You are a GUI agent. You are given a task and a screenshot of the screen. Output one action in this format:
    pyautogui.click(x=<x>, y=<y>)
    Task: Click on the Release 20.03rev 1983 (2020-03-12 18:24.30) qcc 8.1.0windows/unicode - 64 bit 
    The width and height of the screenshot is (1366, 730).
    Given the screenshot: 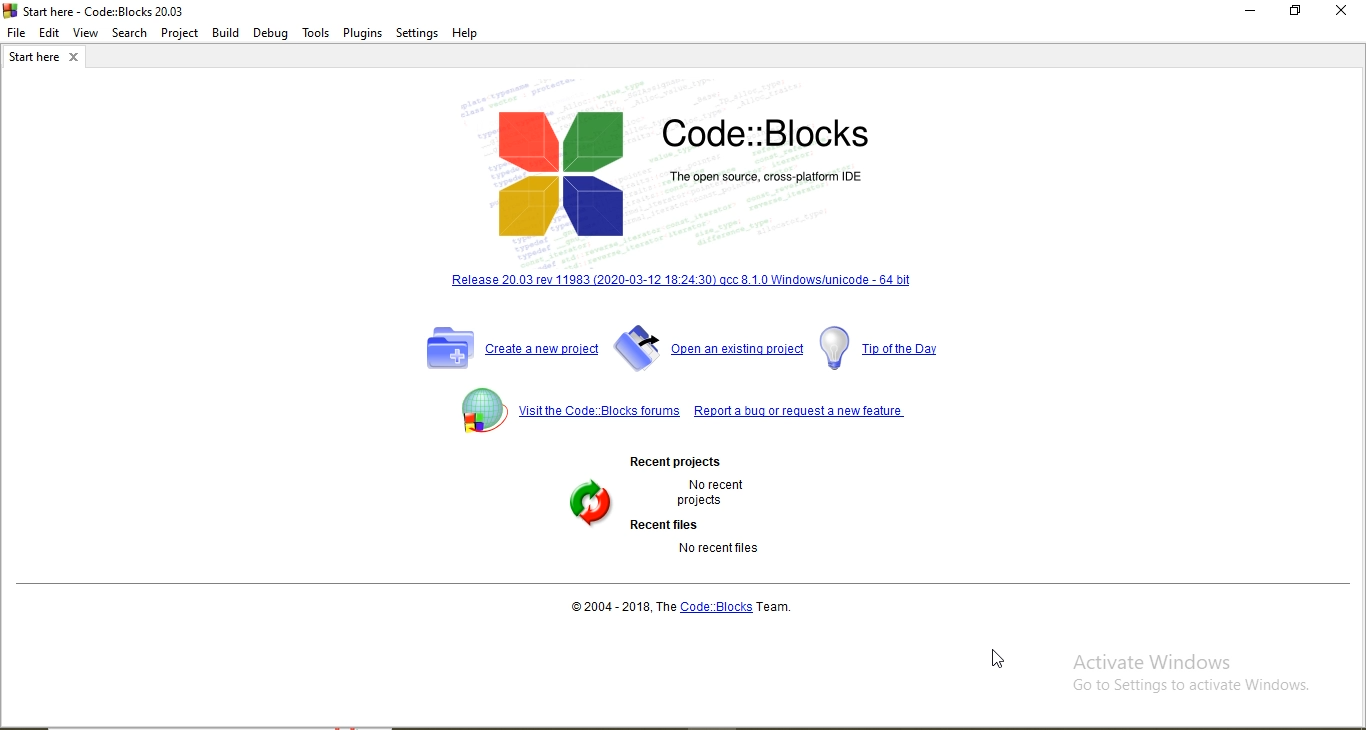 What is the action you would take?
    pyautogui.click(x=681, y=282)
    